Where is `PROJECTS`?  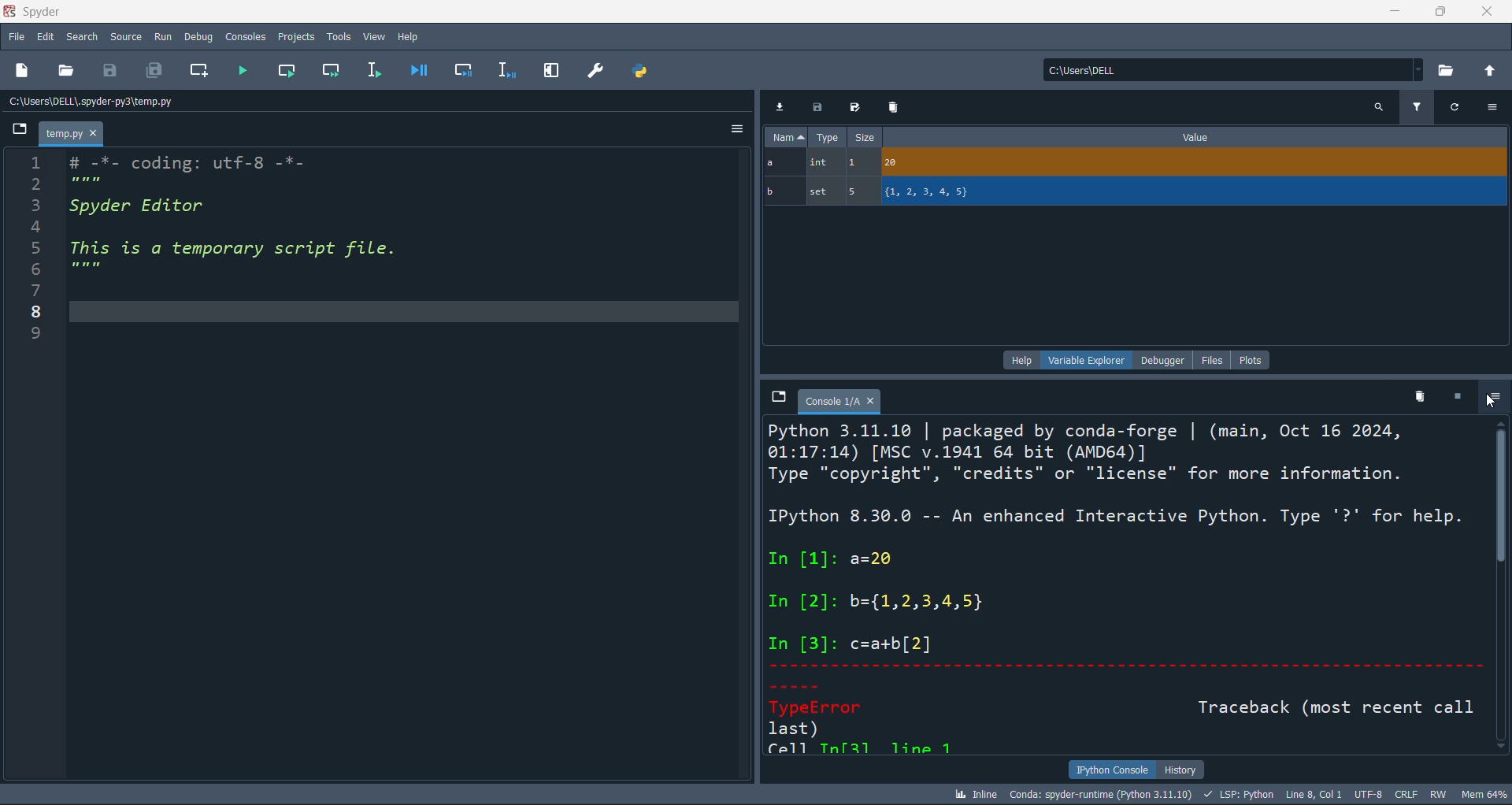
PROJECTS is located at coordinates (296, 36).